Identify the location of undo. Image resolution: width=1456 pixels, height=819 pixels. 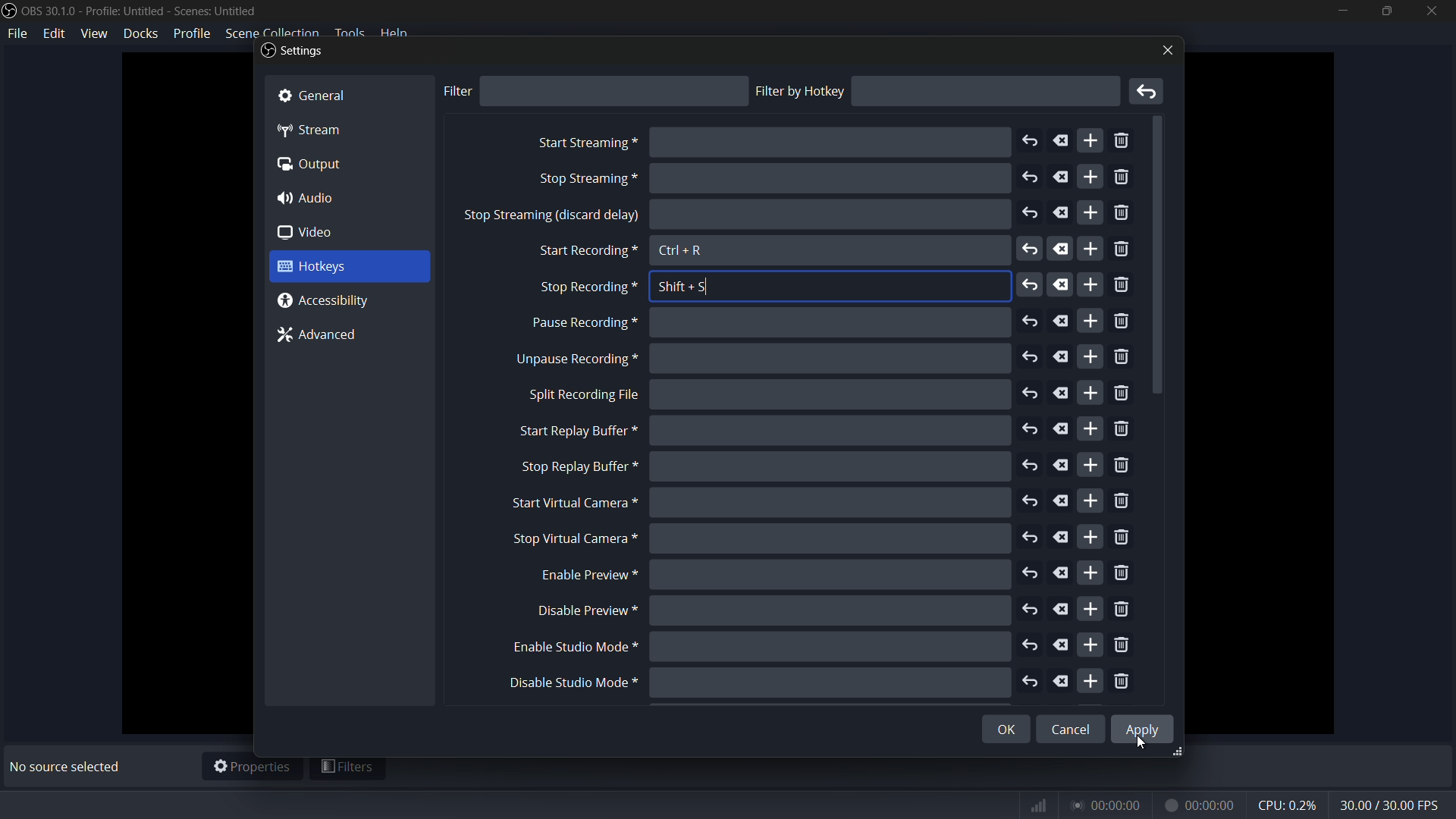
(1031, 575).